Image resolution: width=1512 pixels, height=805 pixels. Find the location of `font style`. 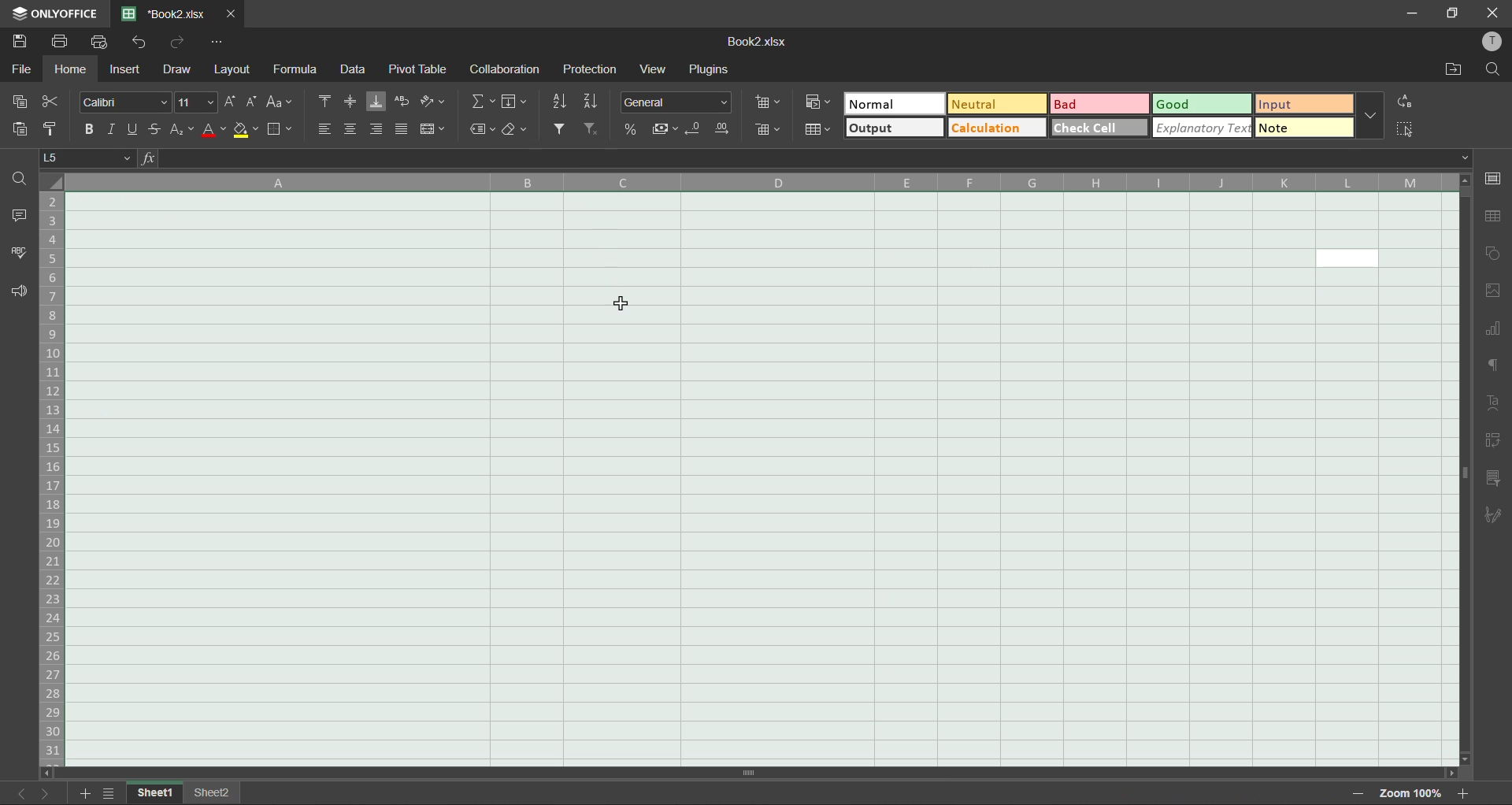

font style is located at coordinates (118, 102).